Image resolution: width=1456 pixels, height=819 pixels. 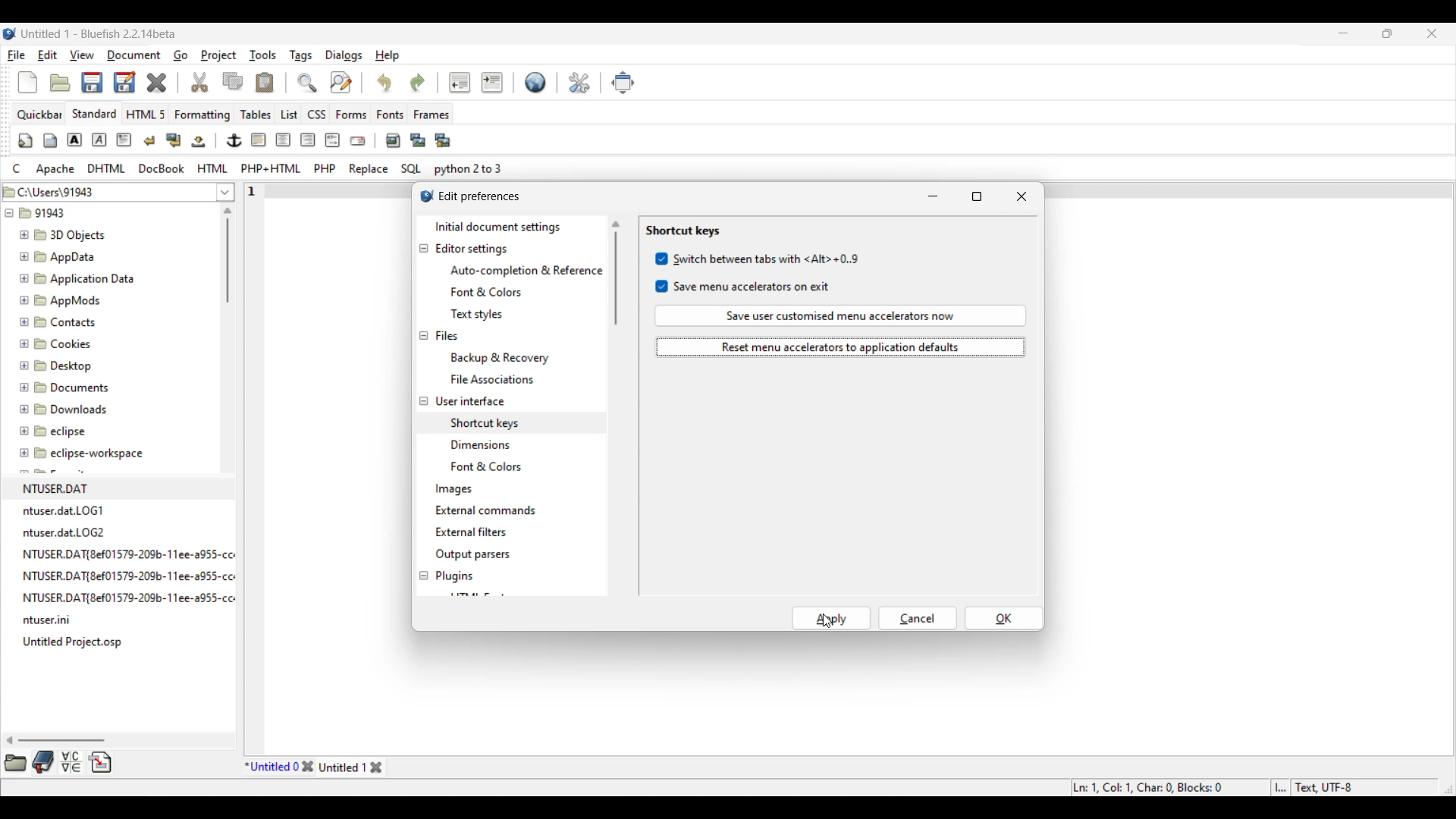 What do you see at coordinates (682, 231) in the screenshot?
I see `Current setting` at bounding box center [682, 231].